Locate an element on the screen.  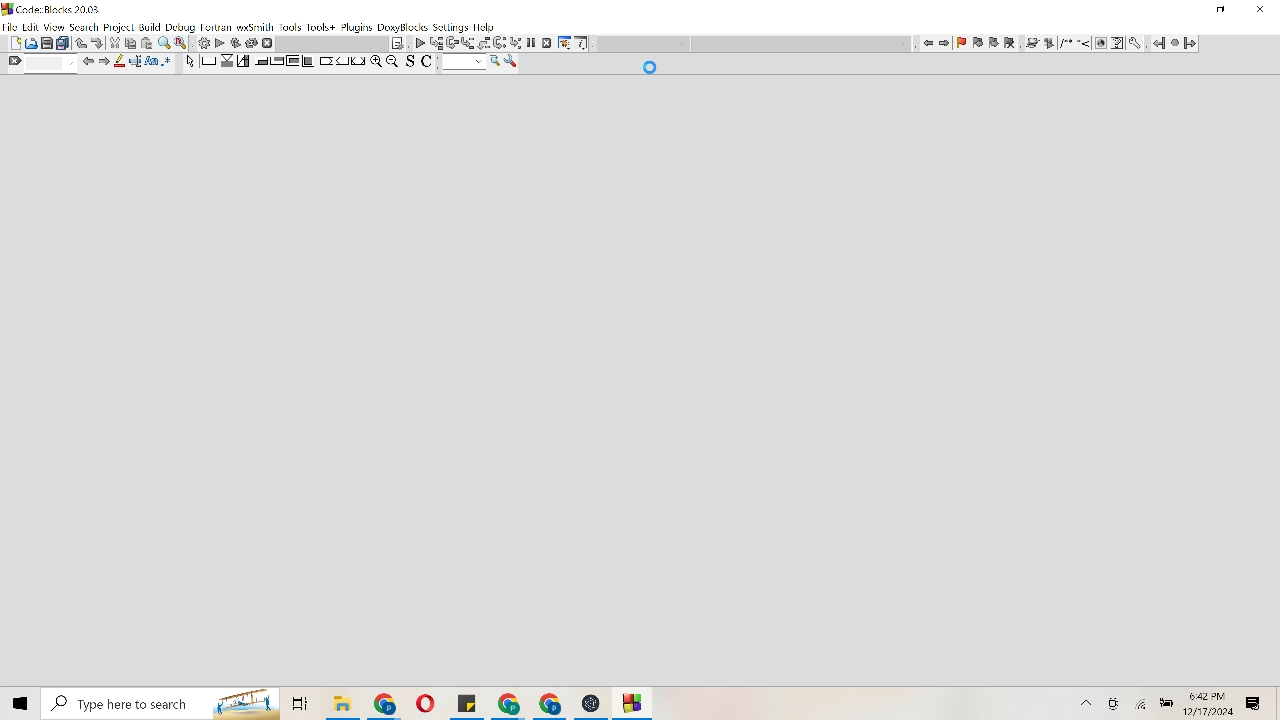
Pencil is located at coordinates (121, 61).